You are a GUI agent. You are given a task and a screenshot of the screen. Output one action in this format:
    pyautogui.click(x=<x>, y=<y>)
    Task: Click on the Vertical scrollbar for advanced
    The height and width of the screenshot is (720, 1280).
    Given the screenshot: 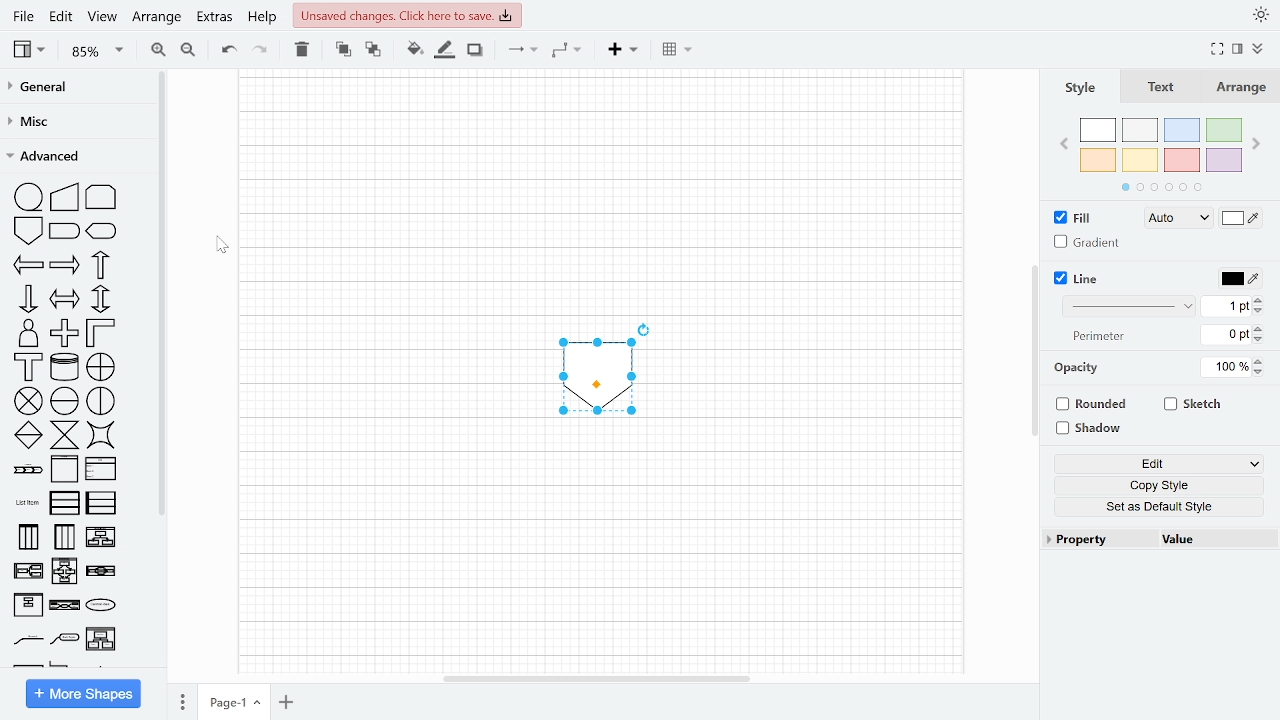 What is the action you would take?
    pyautogui.click(x=163, y=296)
    